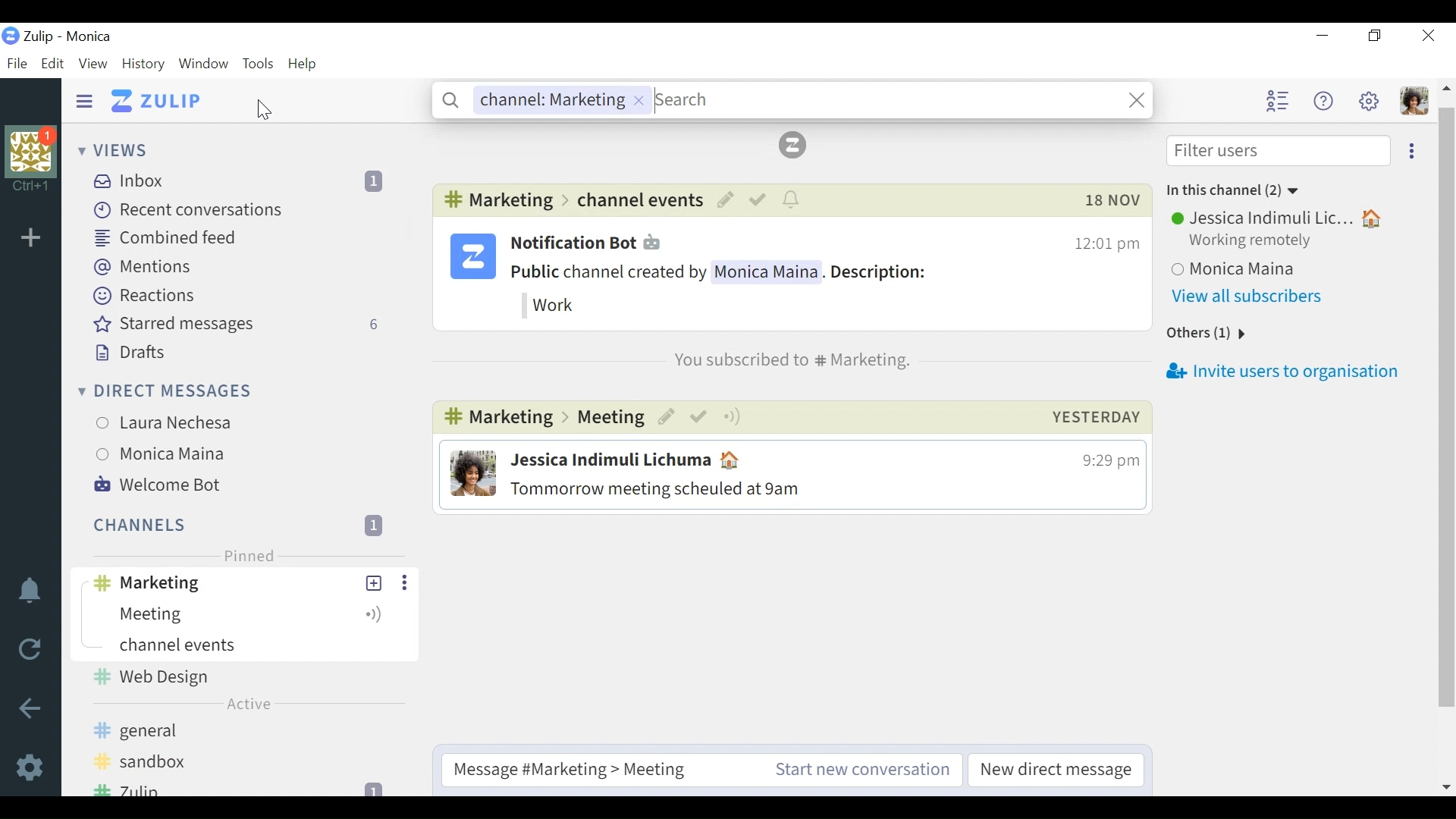 Image resolution: width=1456 pixels, height=819 pixels. I want to click on Personal menu, so click(1414, 101).